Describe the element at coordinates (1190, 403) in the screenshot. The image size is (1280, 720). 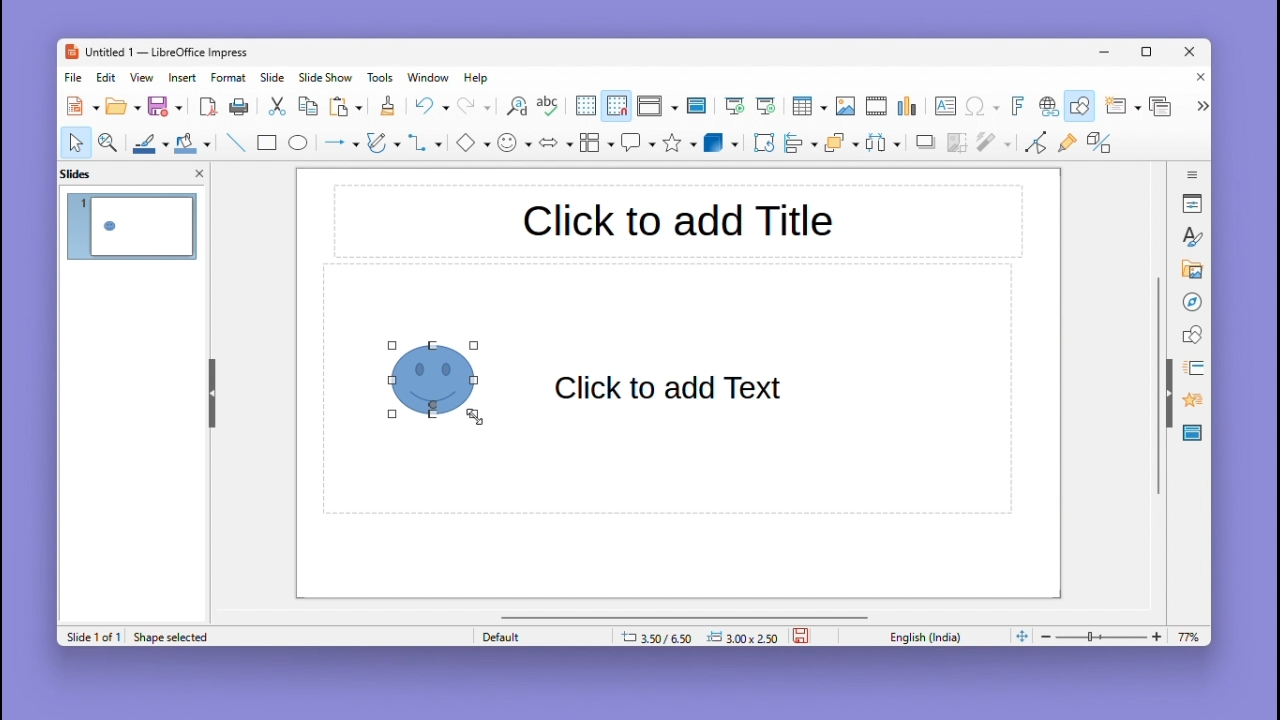
I see `Effects` at that location.